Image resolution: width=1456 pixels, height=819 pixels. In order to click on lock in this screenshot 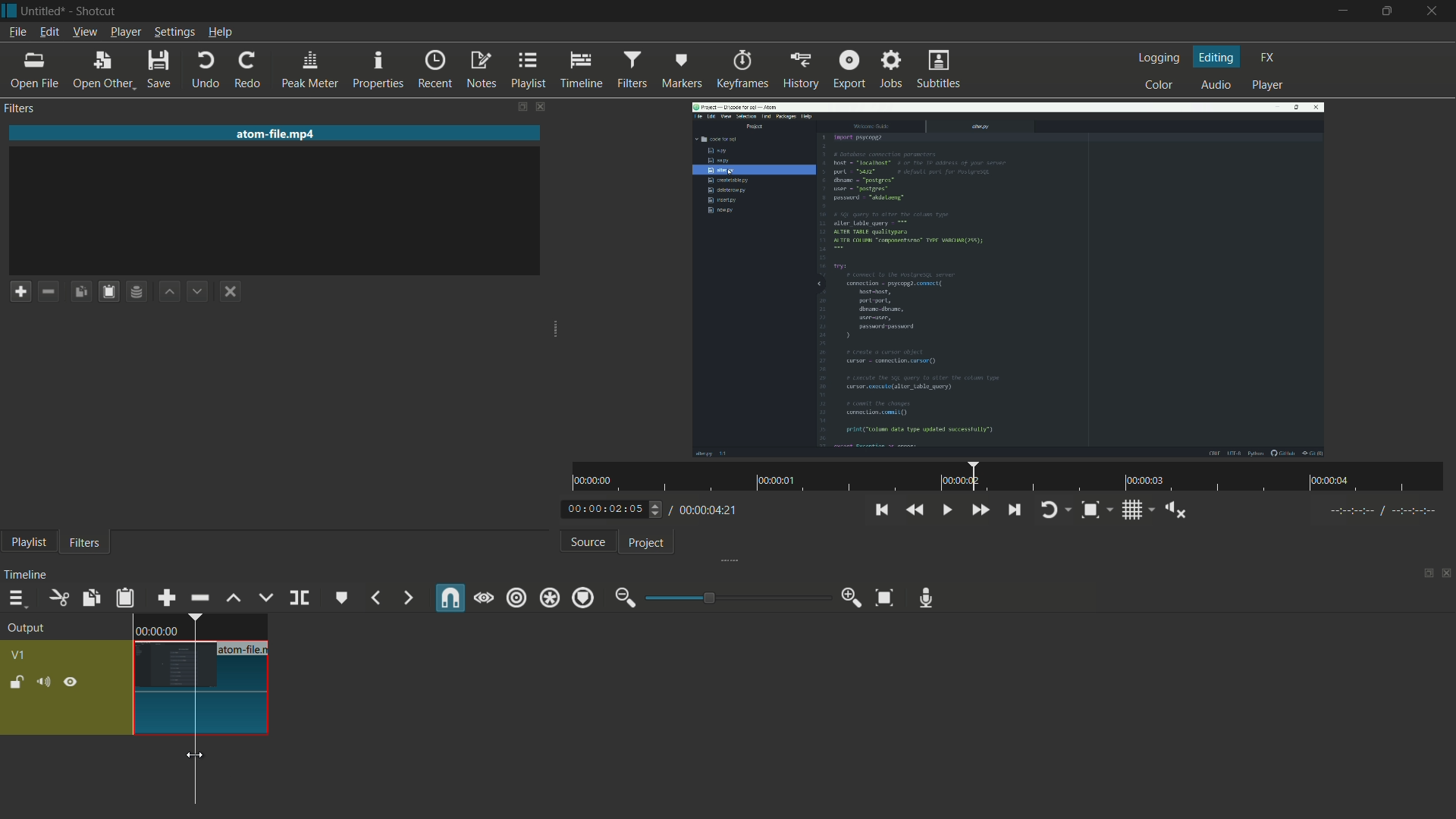, I will do `click(16, 684)`.